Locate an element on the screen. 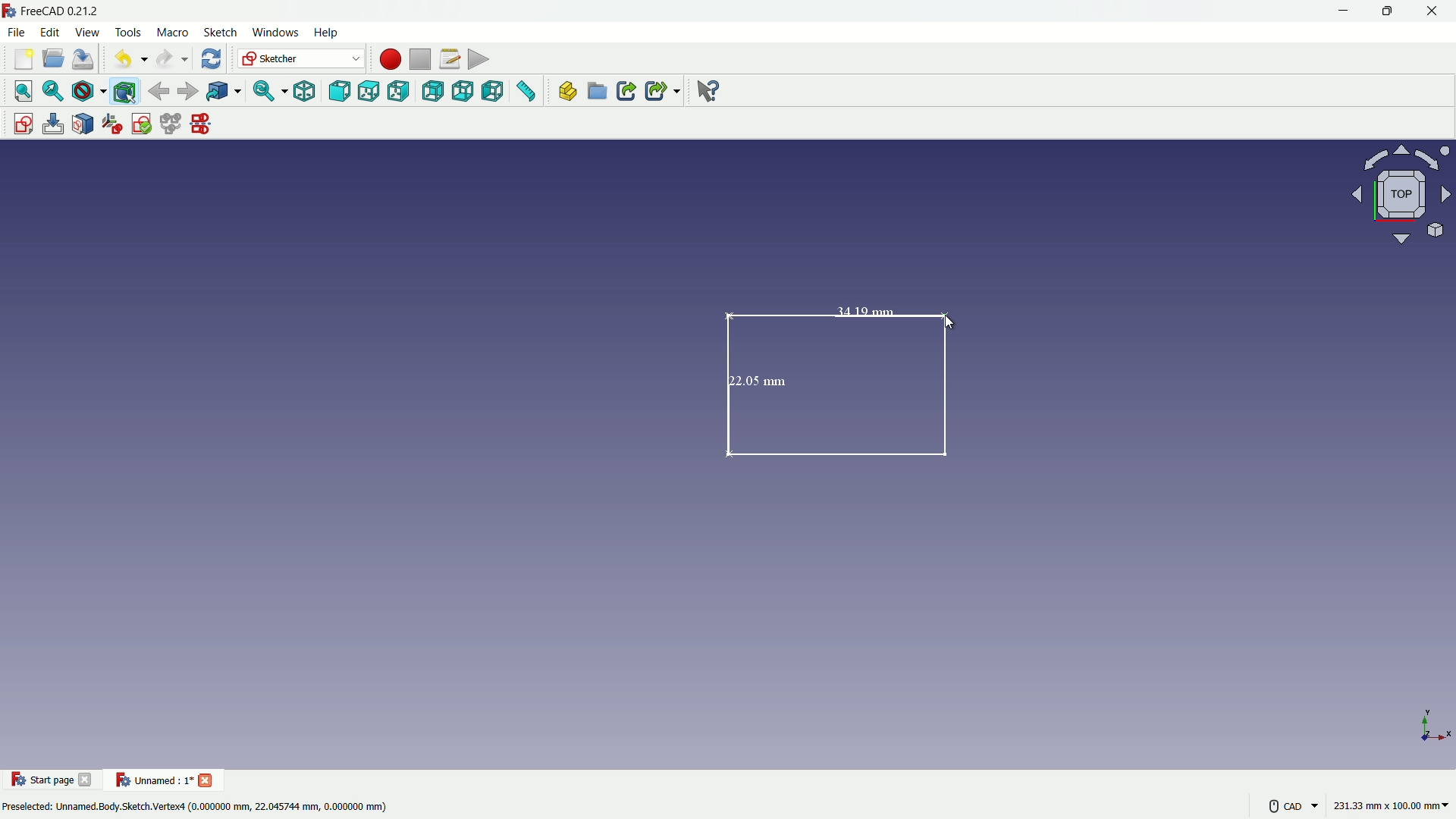 The height and width of the screenshot is (819, 1456). undo is located at coordinates (126, 60).